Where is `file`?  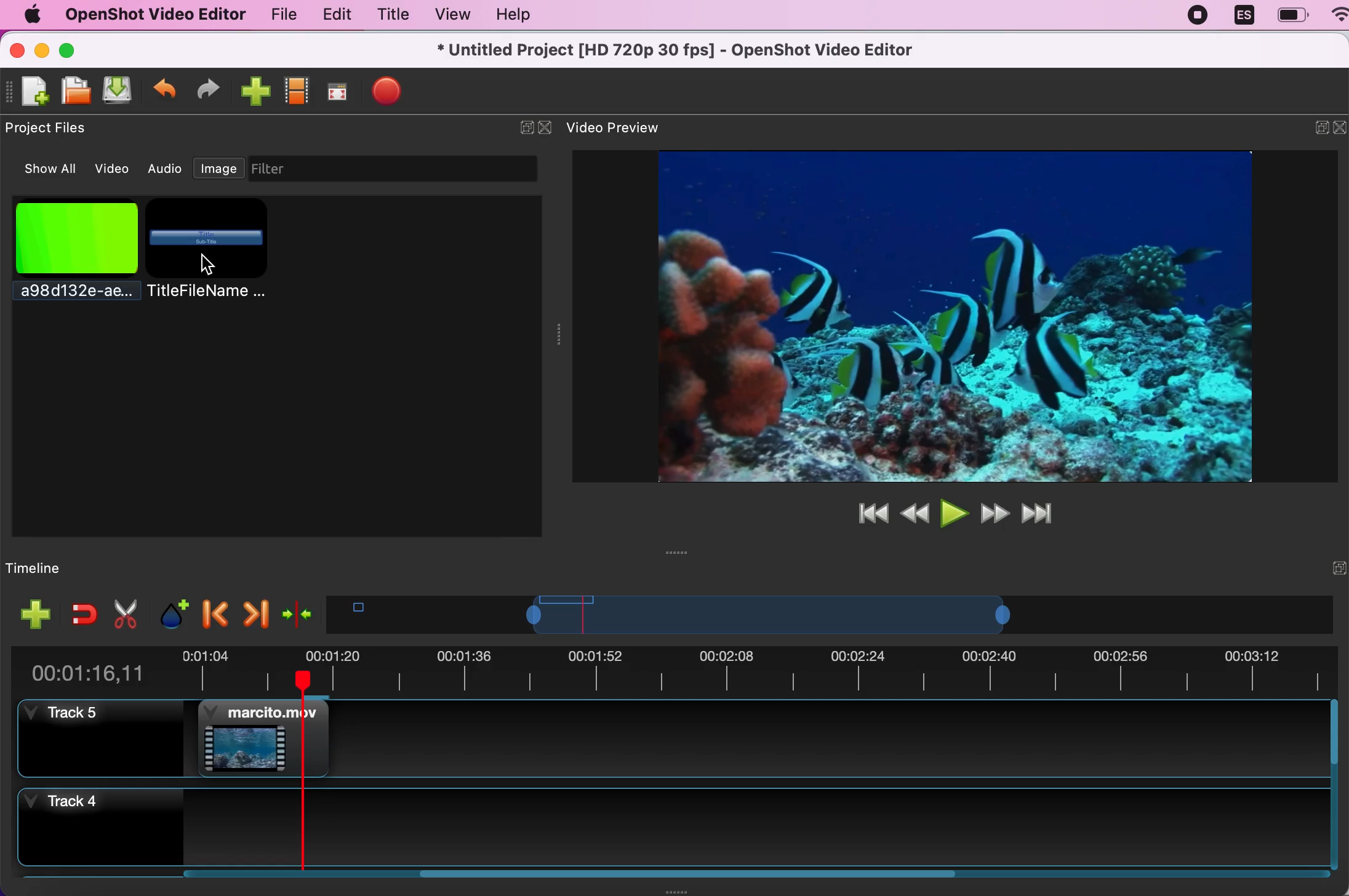
file is located at coordinates (276, 14).